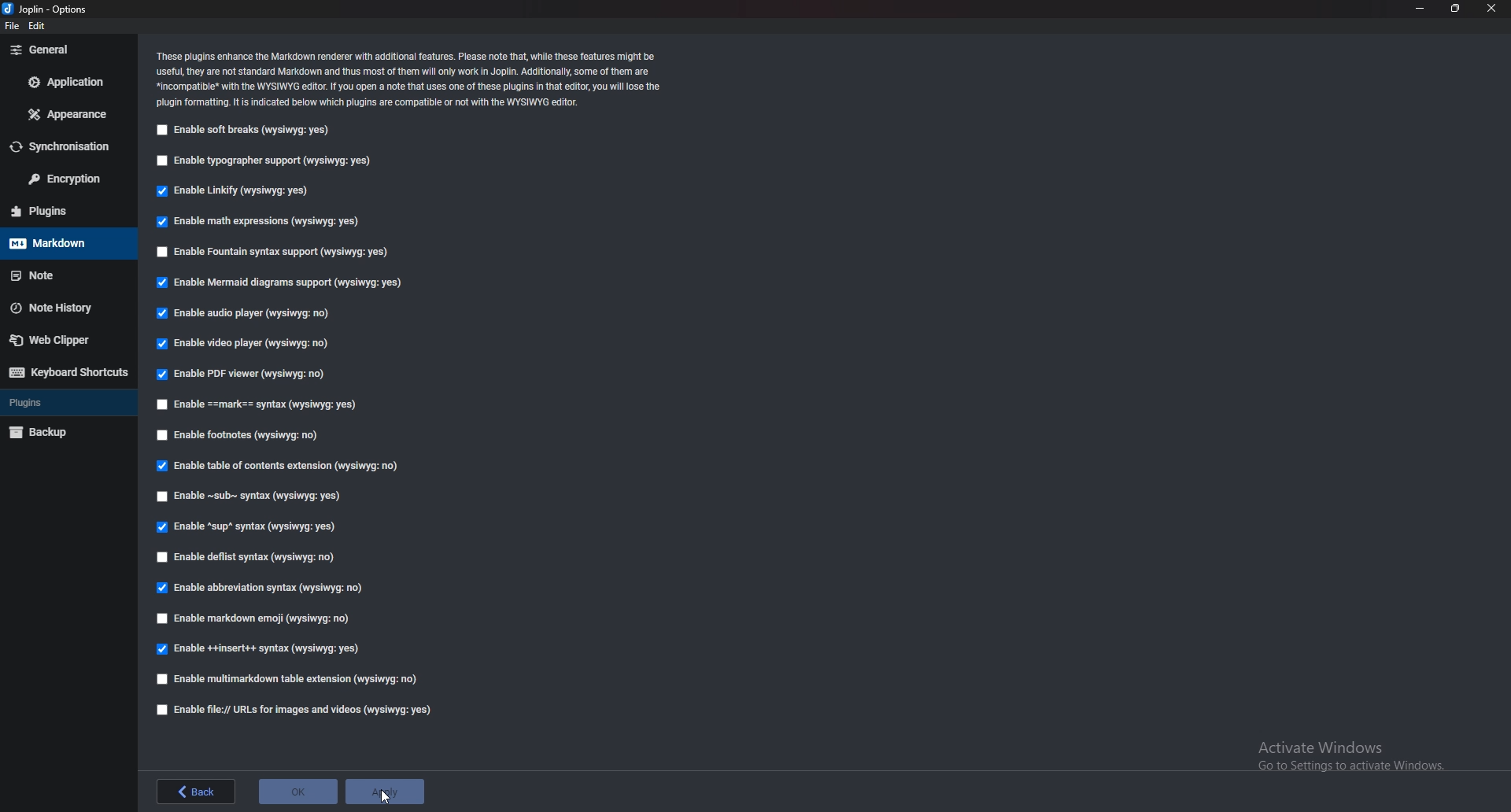  Describe the element at coordinates (247, 313) in the screenshot. I see `Enable audio player` at that location.